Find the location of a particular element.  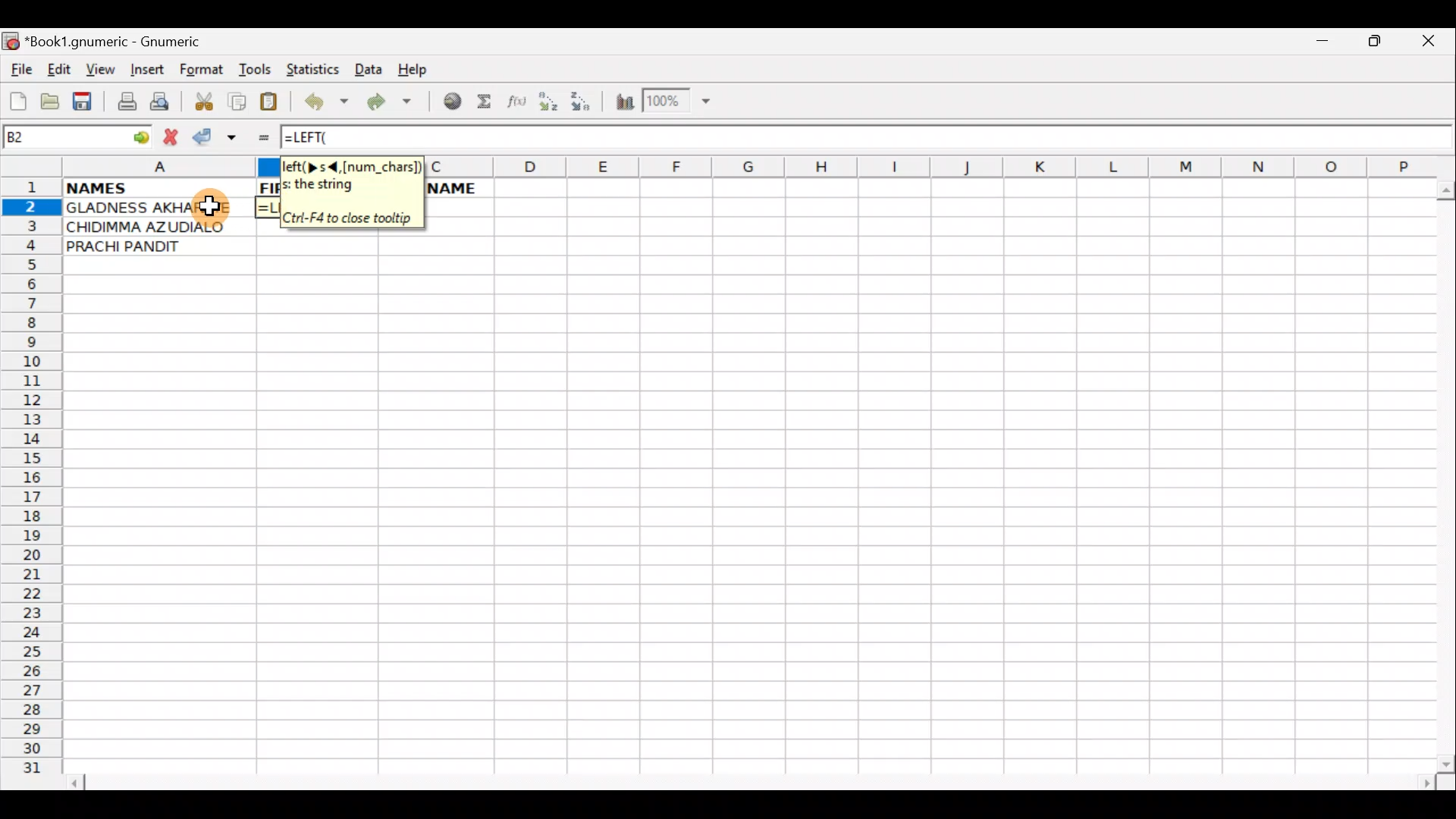

Tools is located at coordinates (256, 70).